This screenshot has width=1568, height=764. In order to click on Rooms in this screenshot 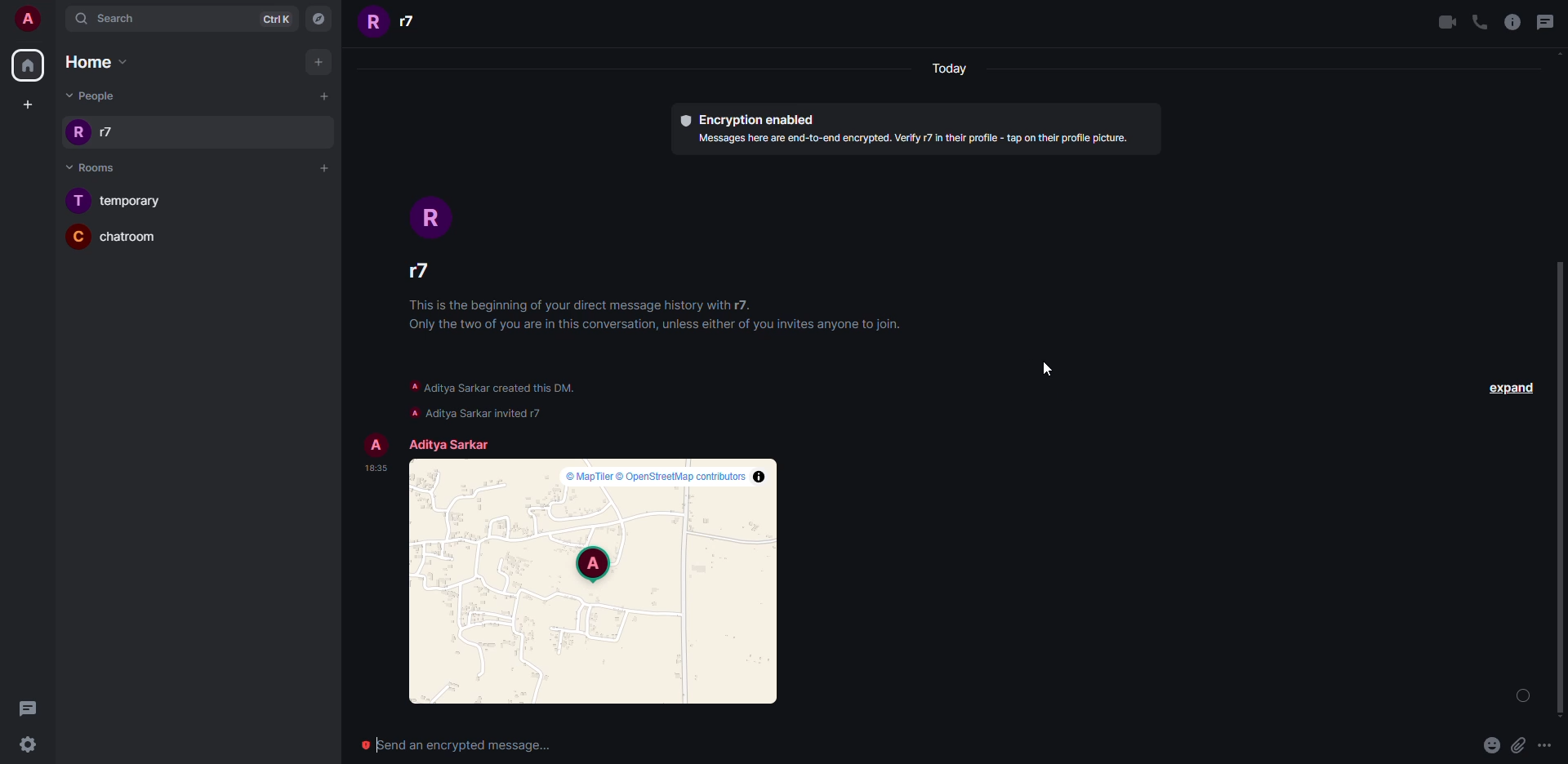, I will do `click(91, 167)`.